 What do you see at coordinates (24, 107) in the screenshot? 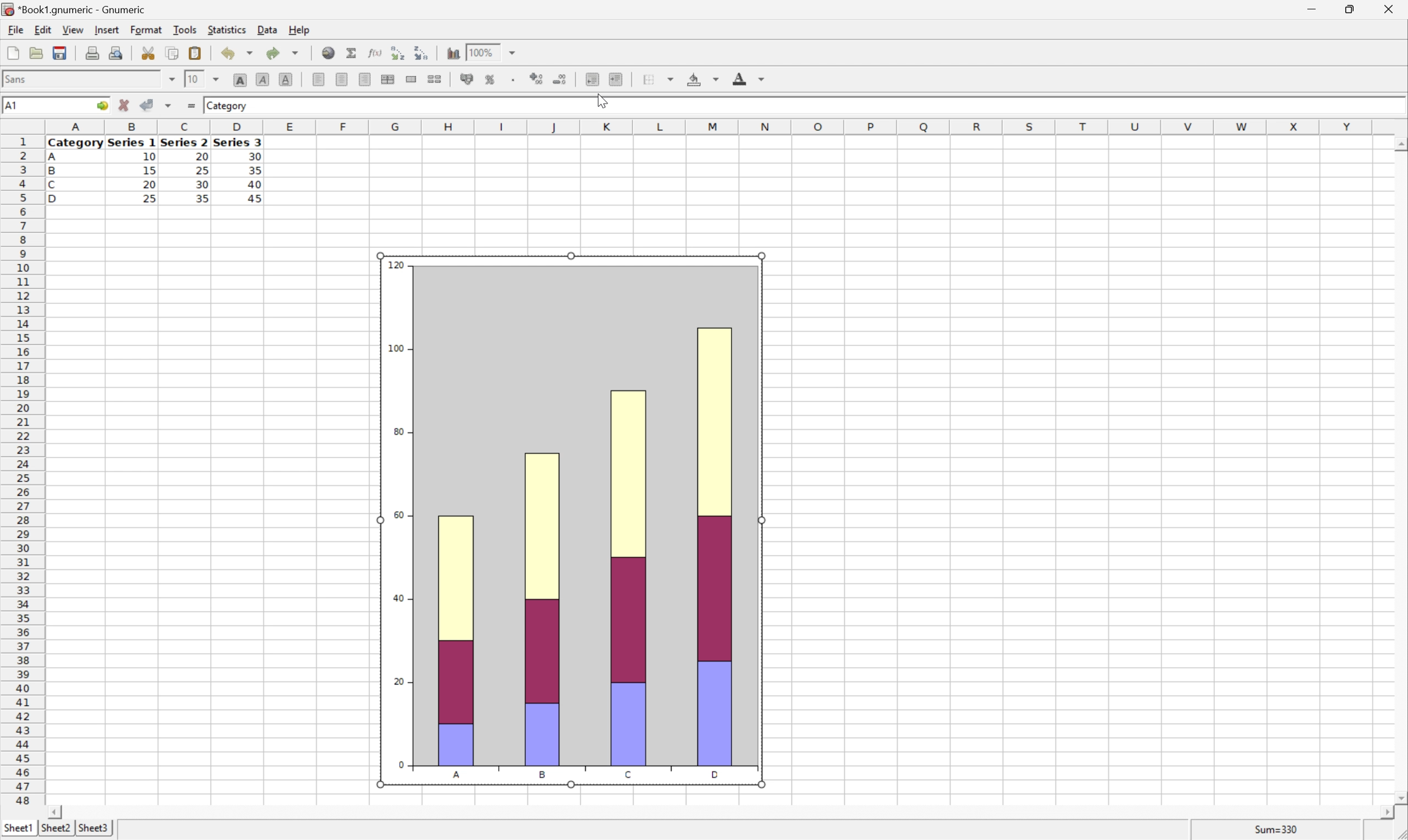
I see `5R*4C` at bounding box center [24, 107].